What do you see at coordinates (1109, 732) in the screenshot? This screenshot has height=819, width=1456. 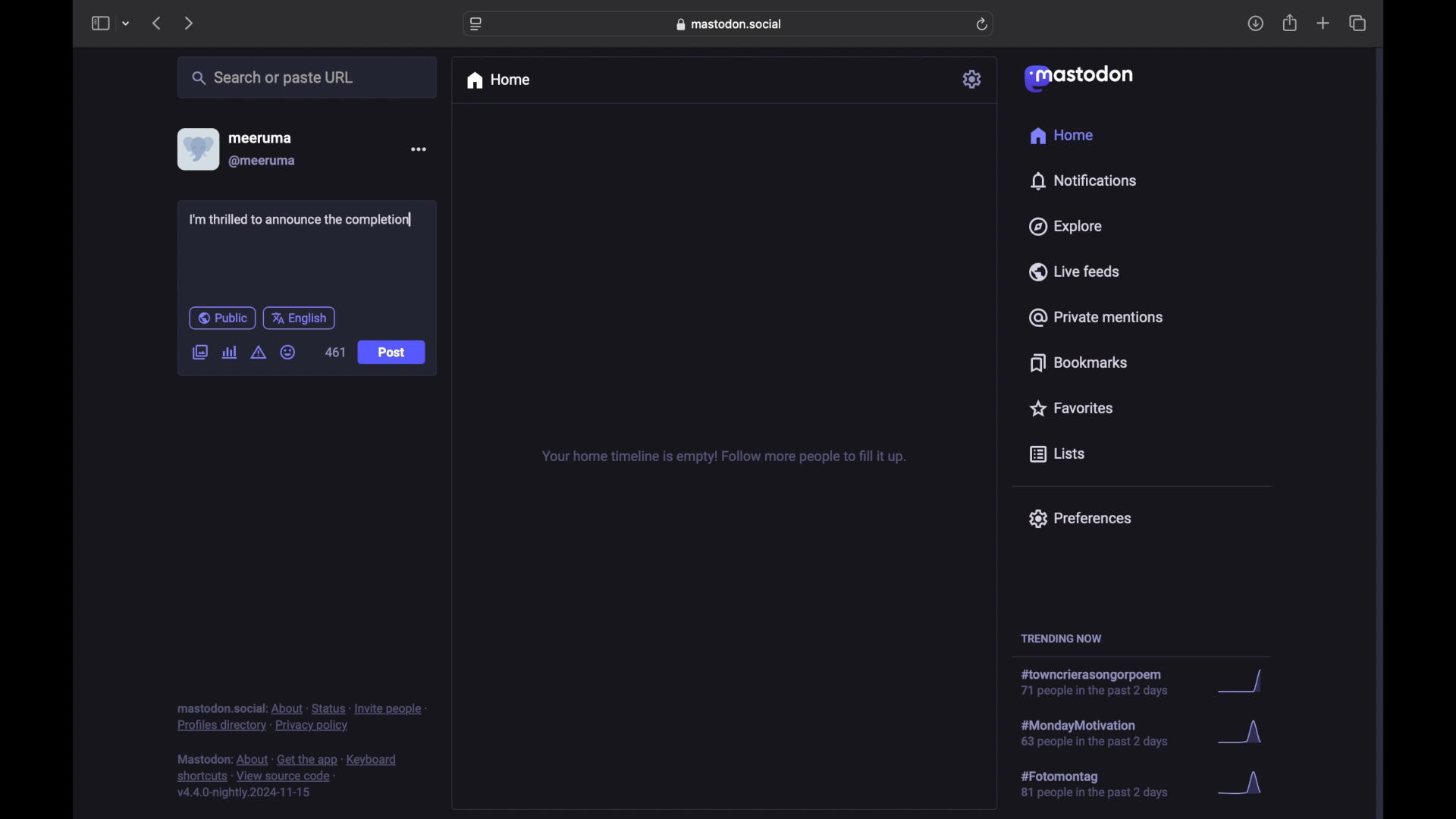 I see `hashtag  trend` at bounding box center [1109, 732].